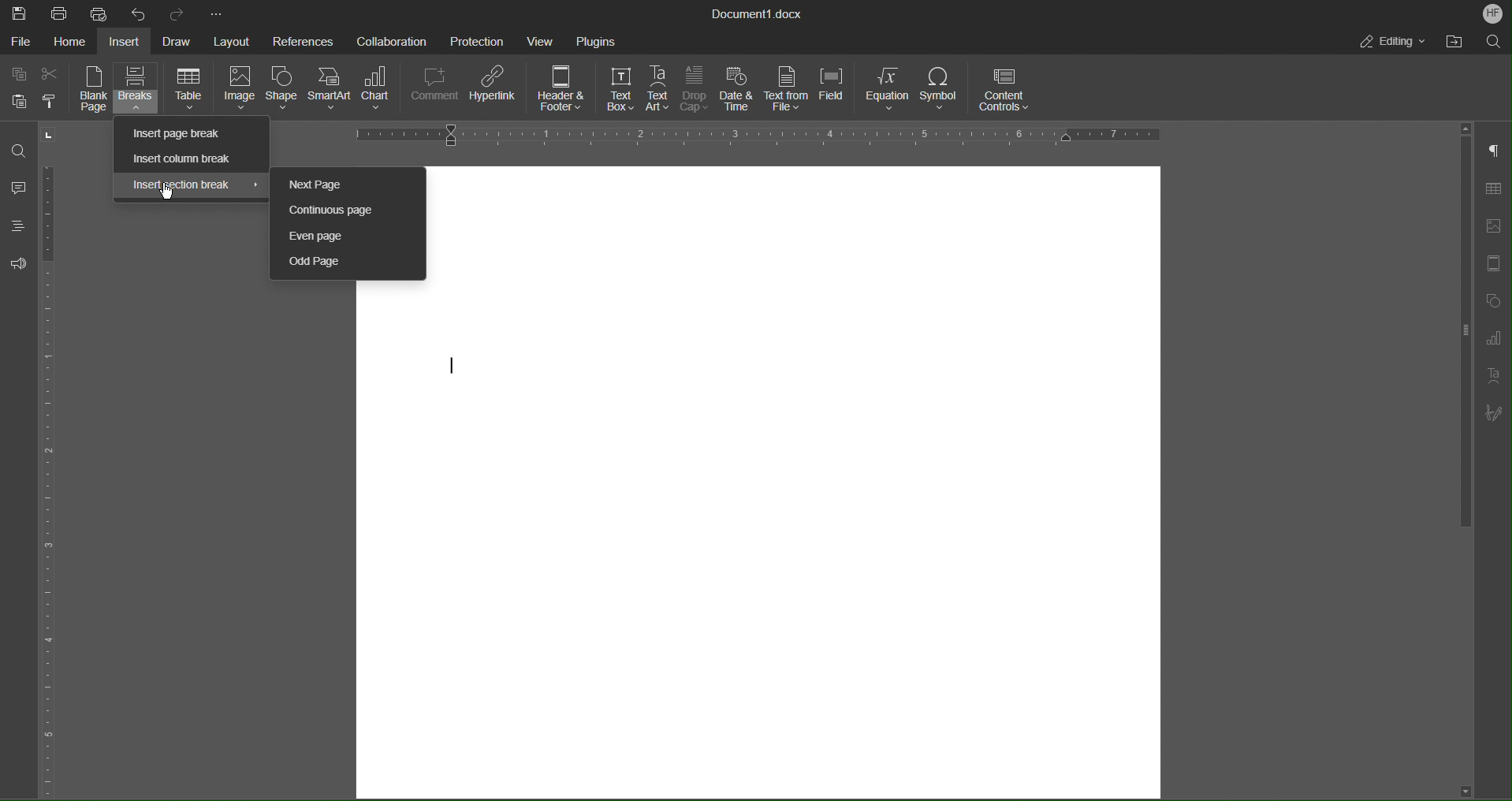 The image size is (1512, 801). Describe the element at coordinates (20, 102) in the screenshot. I see `Paste` at that location.